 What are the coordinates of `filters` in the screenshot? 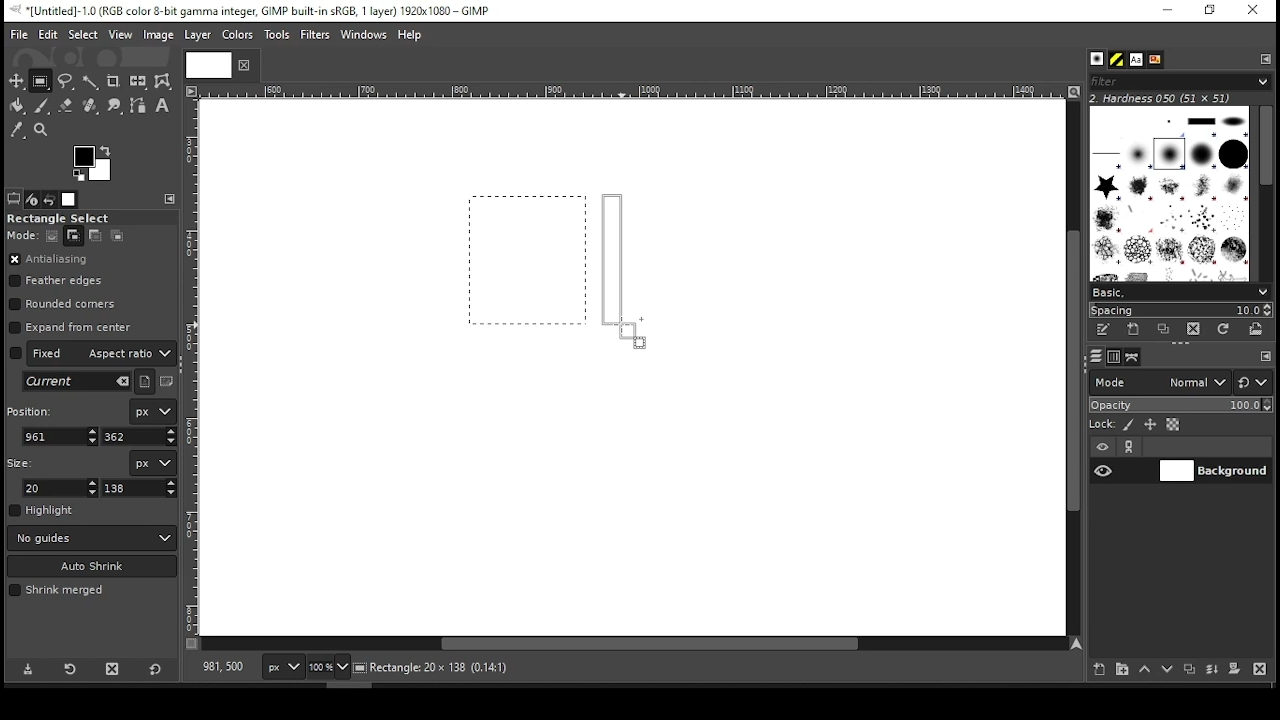 It's located at (1177, 82).